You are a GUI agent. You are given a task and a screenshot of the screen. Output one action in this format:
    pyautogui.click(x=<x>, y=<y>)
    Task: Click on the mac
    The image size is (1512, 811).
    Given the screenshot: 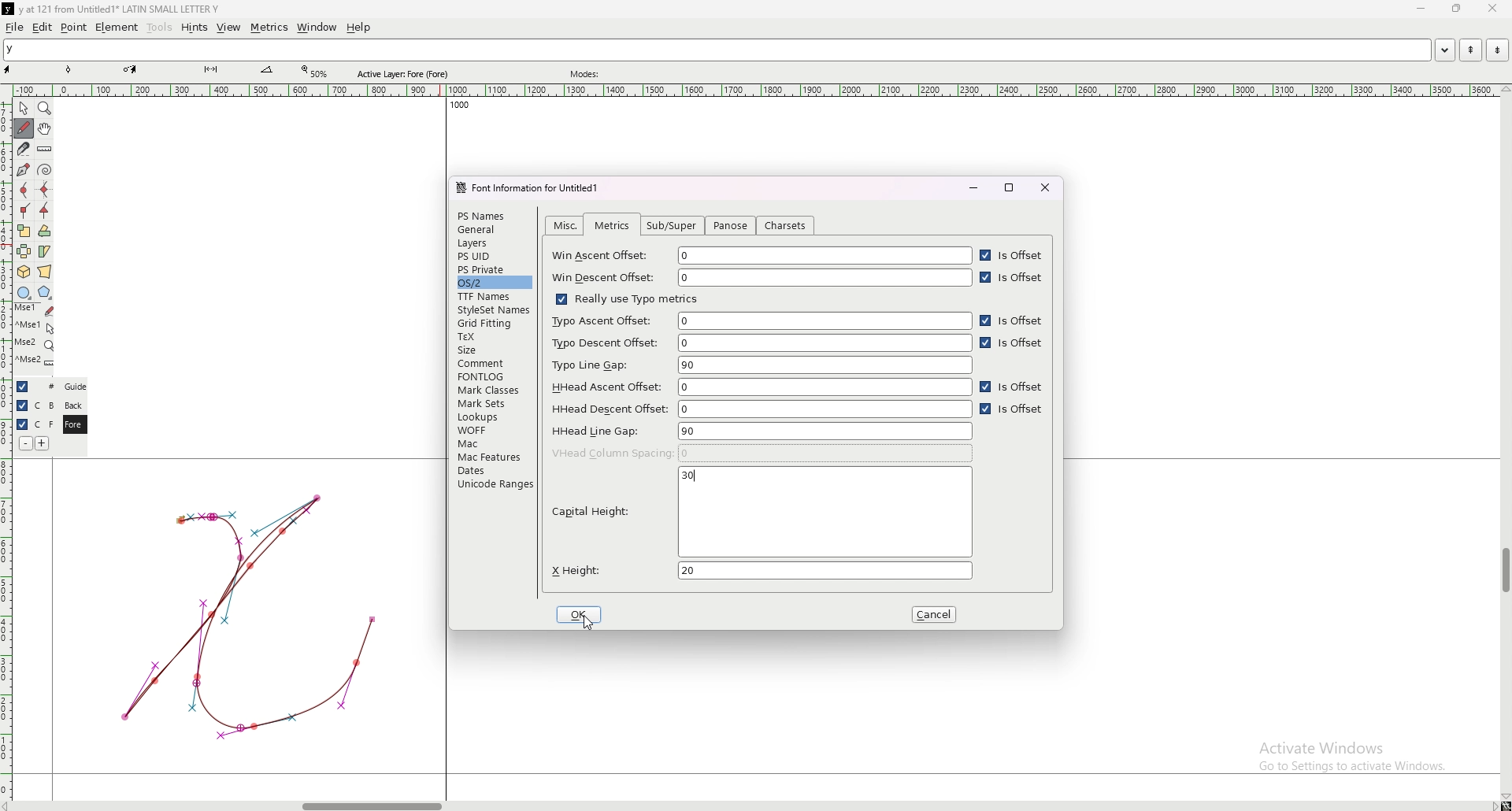 What is the action you would take?
    pyautogui.click(x=492, y=443)
    